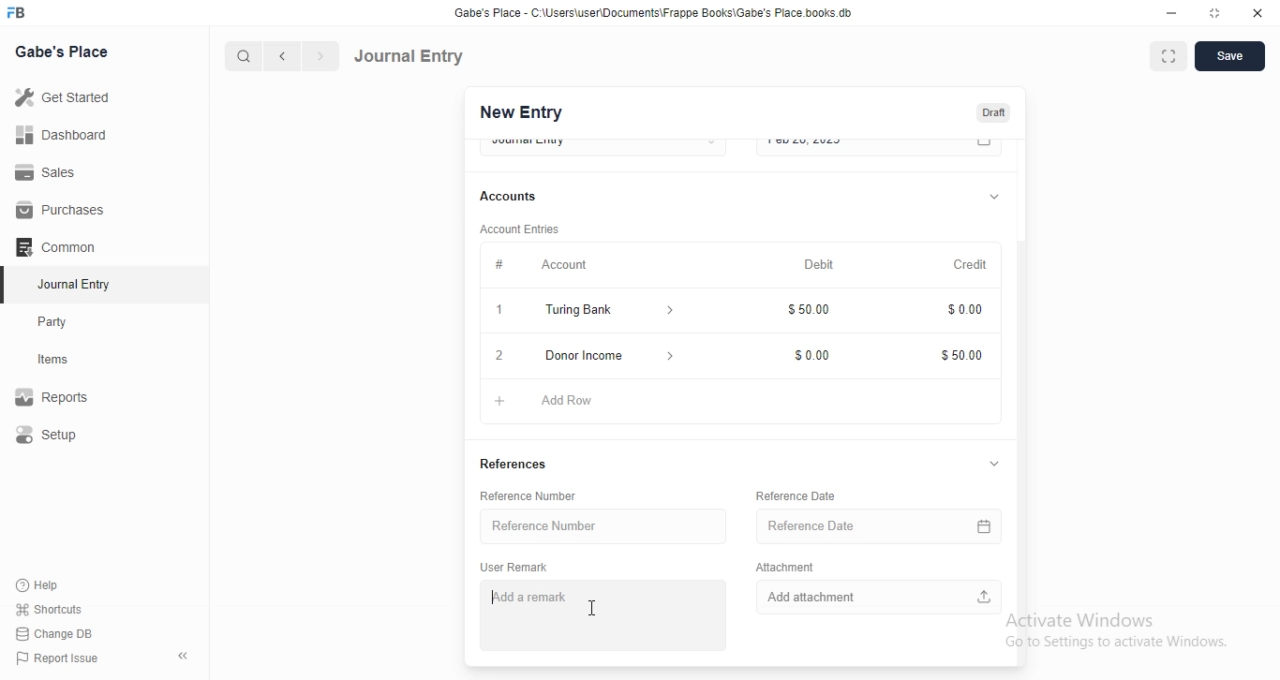 The image size is (1280, 680). Describe the element at coordinates (1172, 57) in the screenshot. I see `full screen` at that location.